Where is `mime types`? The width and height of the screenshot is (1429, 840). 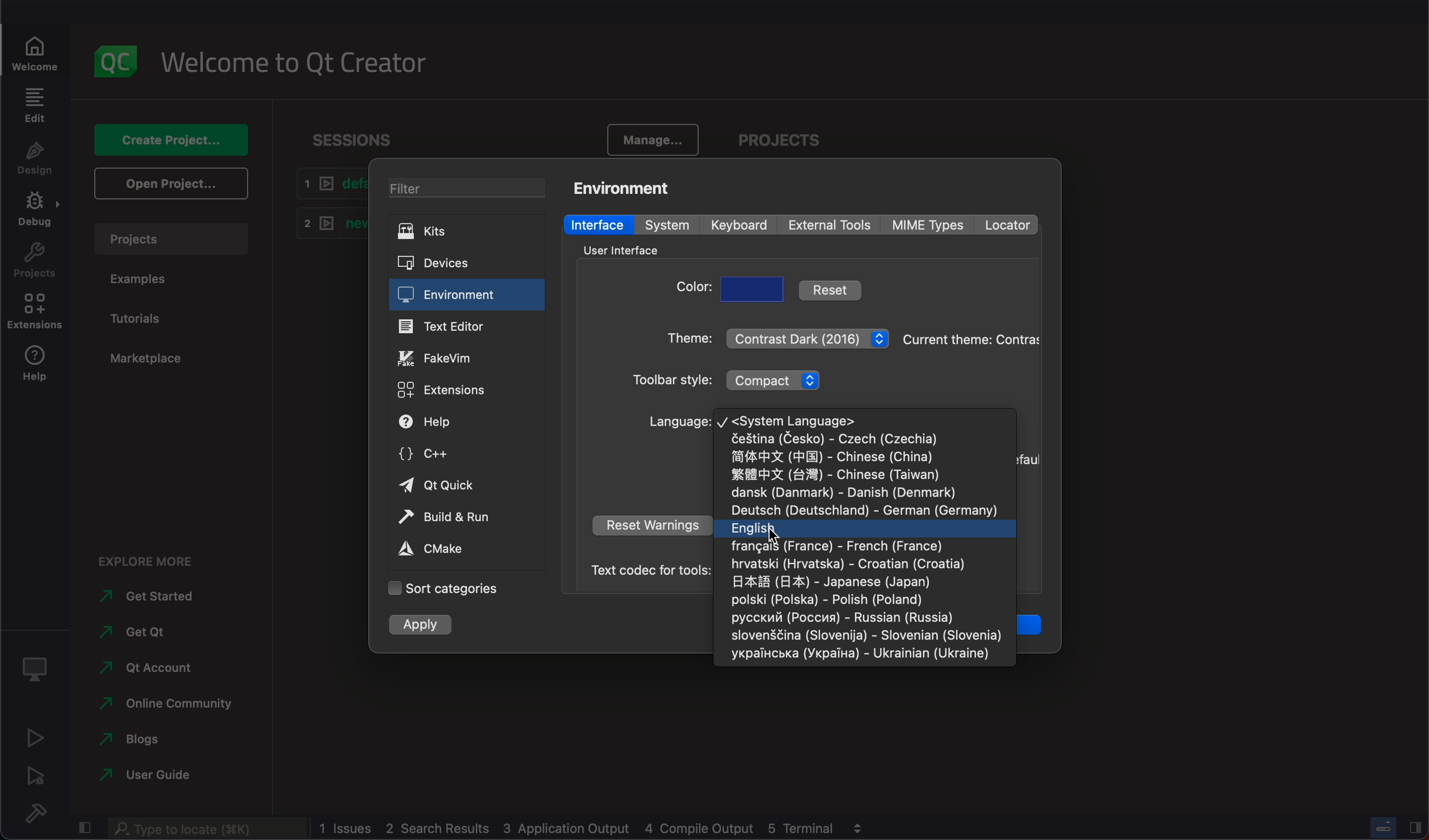 mime types is located at coordinates (932, 224).